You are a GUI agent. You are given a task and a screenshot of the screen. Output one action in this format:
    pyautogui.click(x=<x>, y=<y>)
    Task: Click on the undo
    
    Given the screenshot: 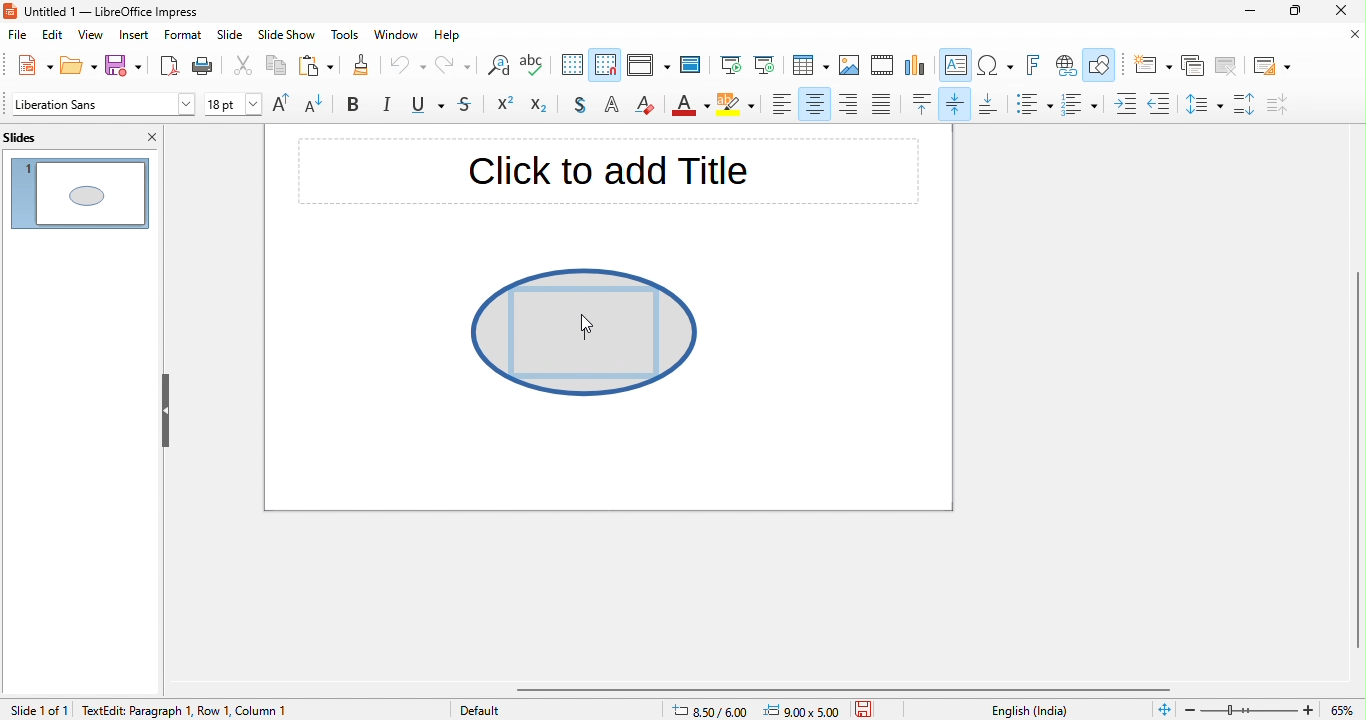 What is the action you would take?
    pyautogui.click(x=408, y=69)
    